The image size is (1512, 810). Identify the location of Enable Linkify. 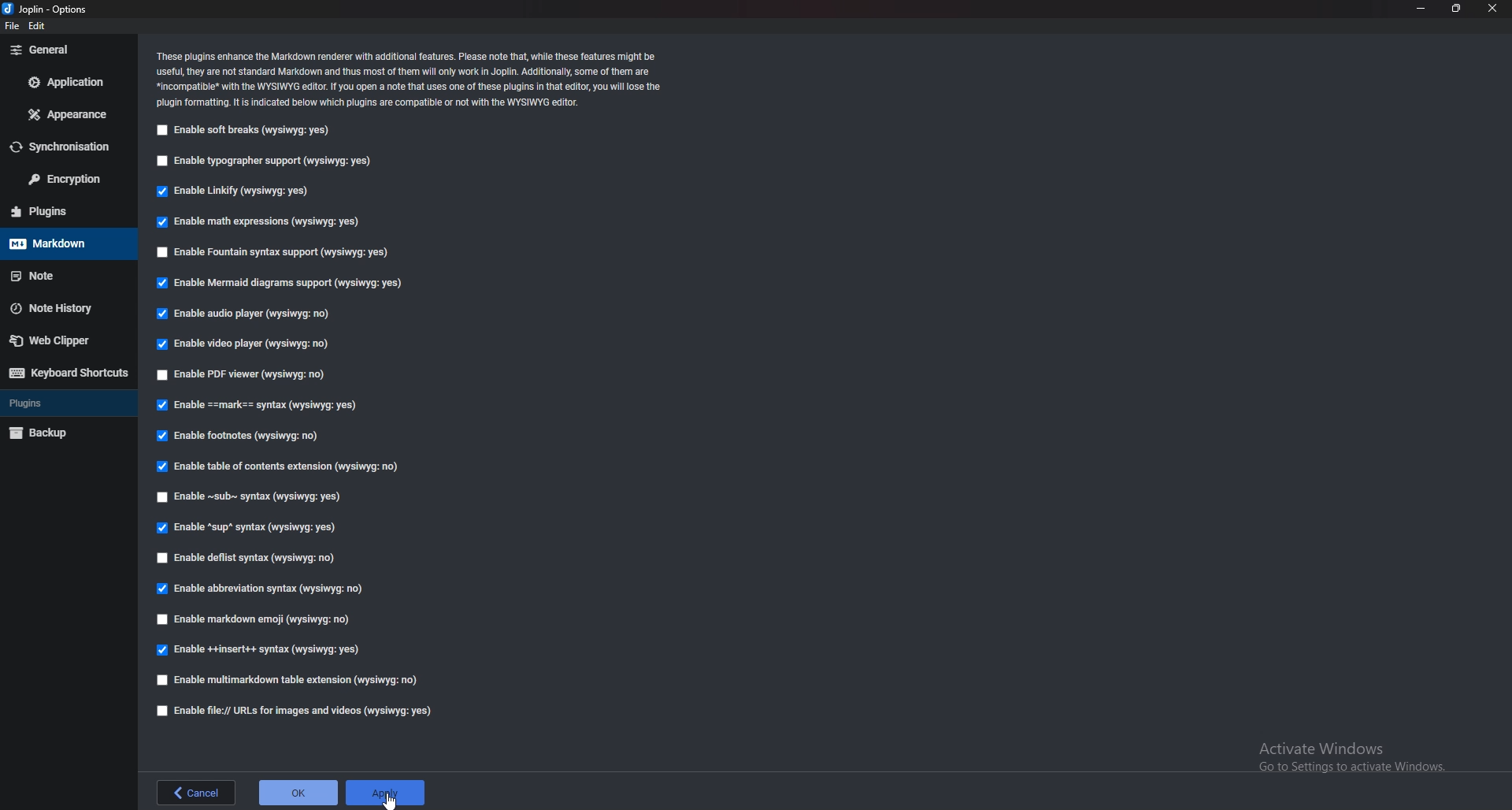
(241, 191).